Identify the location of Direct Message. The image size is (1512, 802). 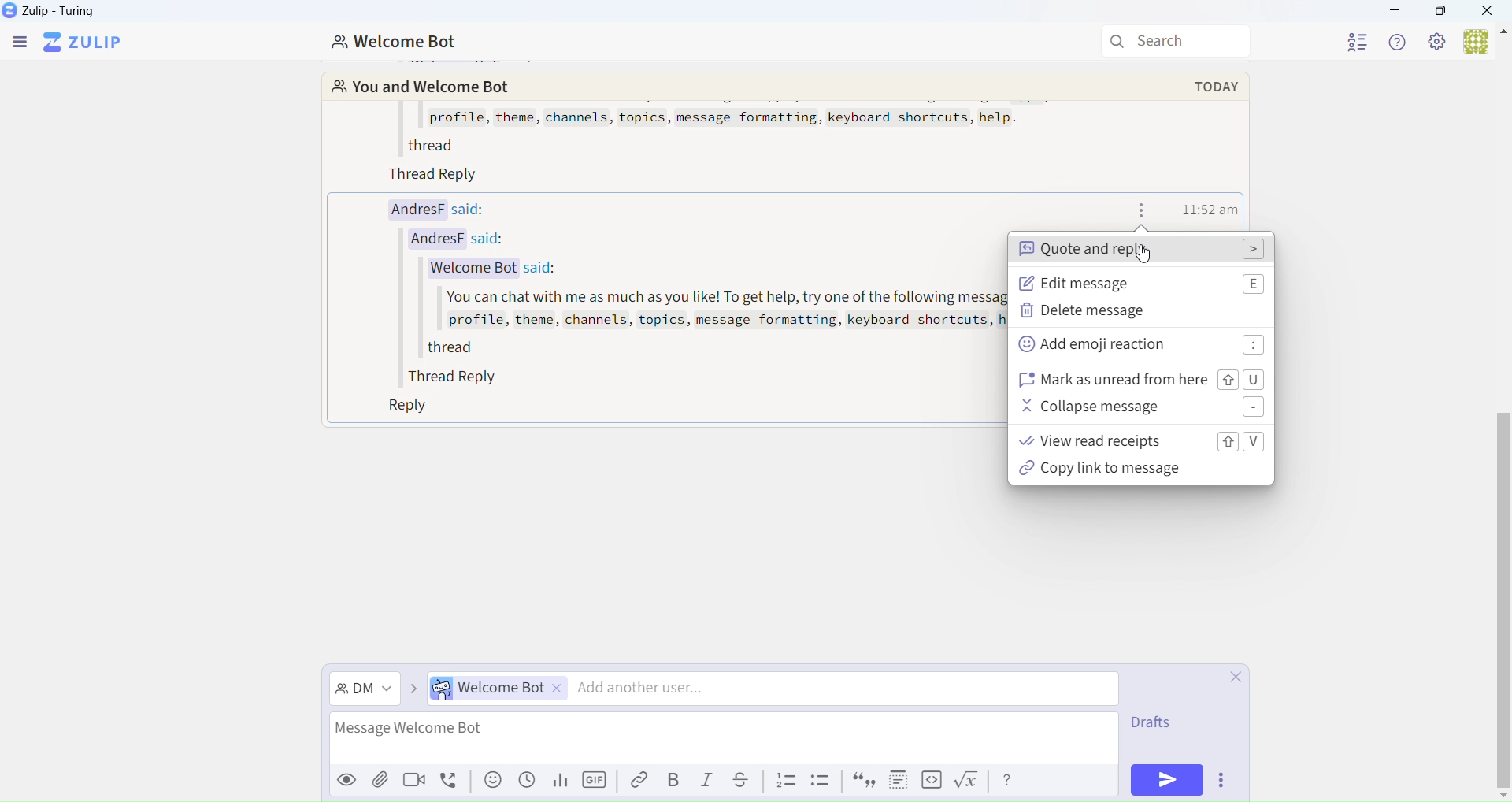
(365, 688).